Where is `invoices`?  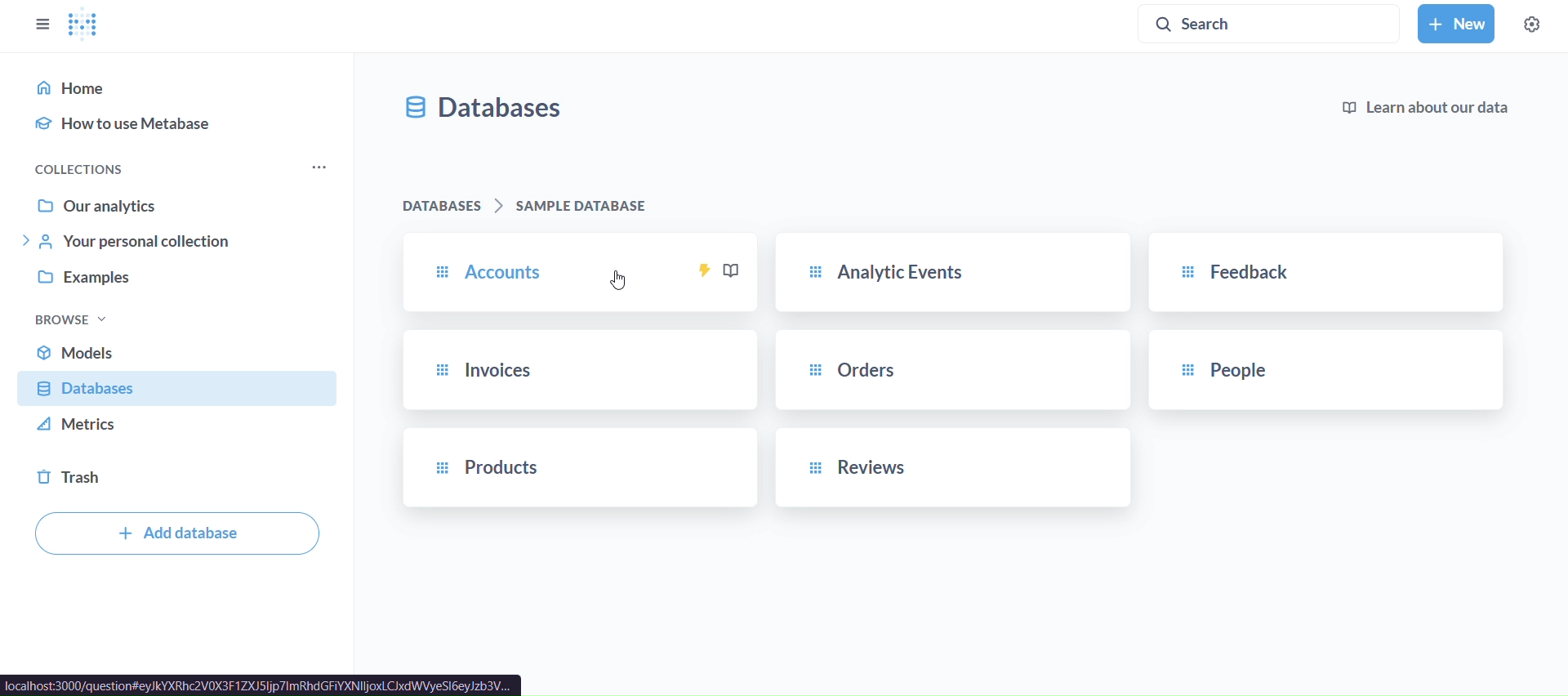
invoices is located at coordinates (584, 372).